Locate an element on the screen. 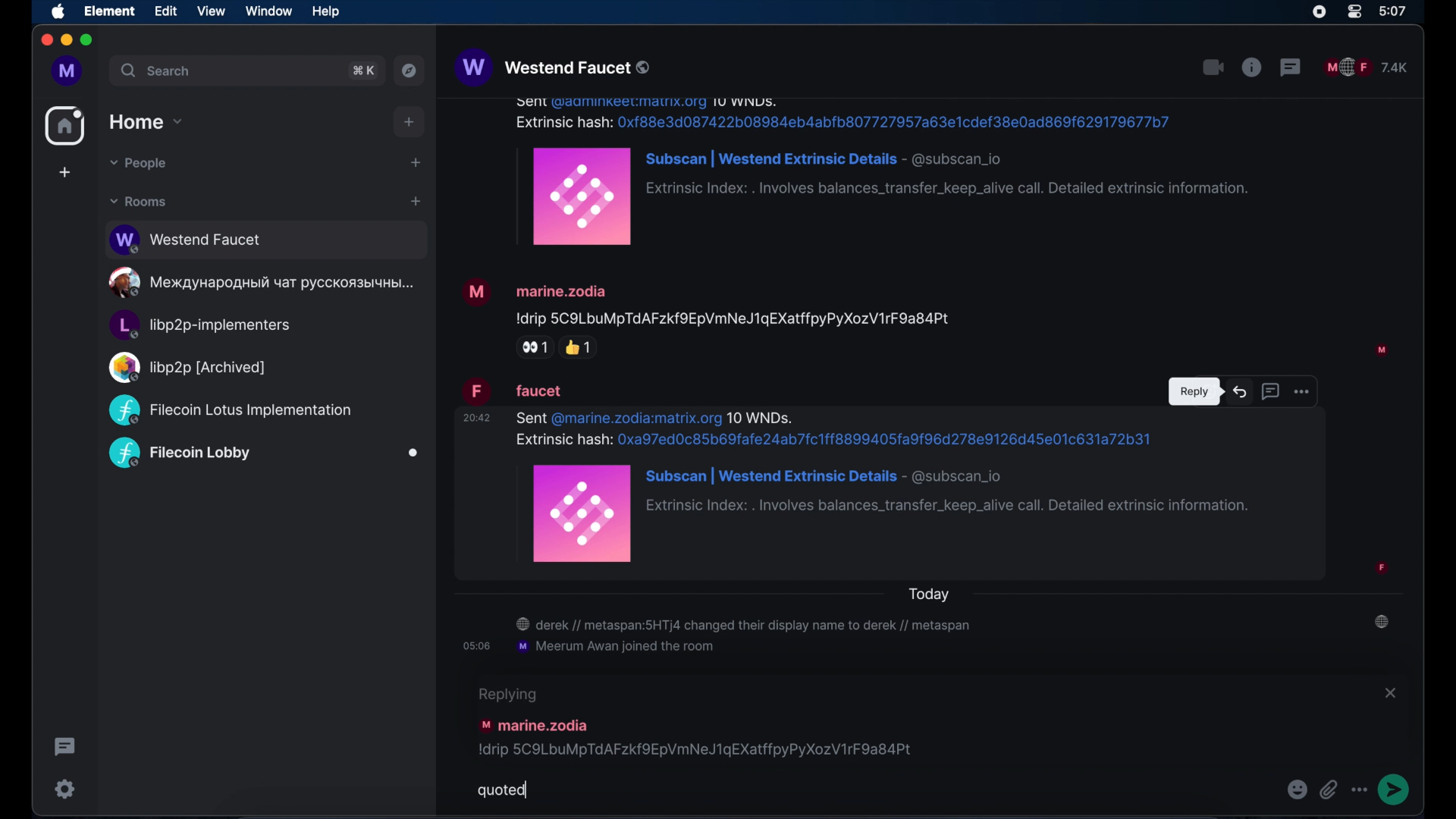 The height and width of the screenshot is (819, 1456). start chat is located at coordinates (415, 162).